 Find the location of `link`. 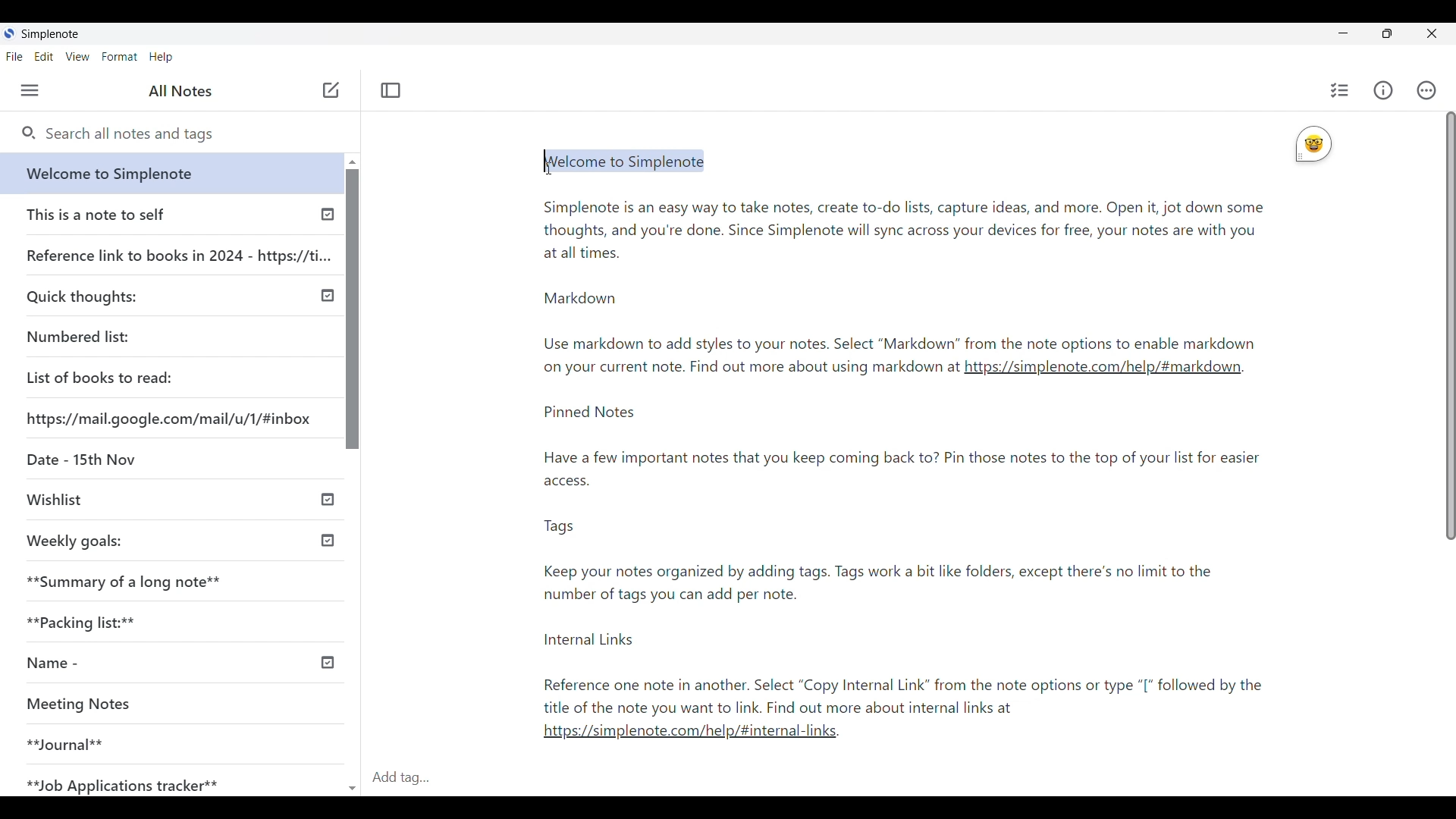

link is located at coordinates (696, 736).